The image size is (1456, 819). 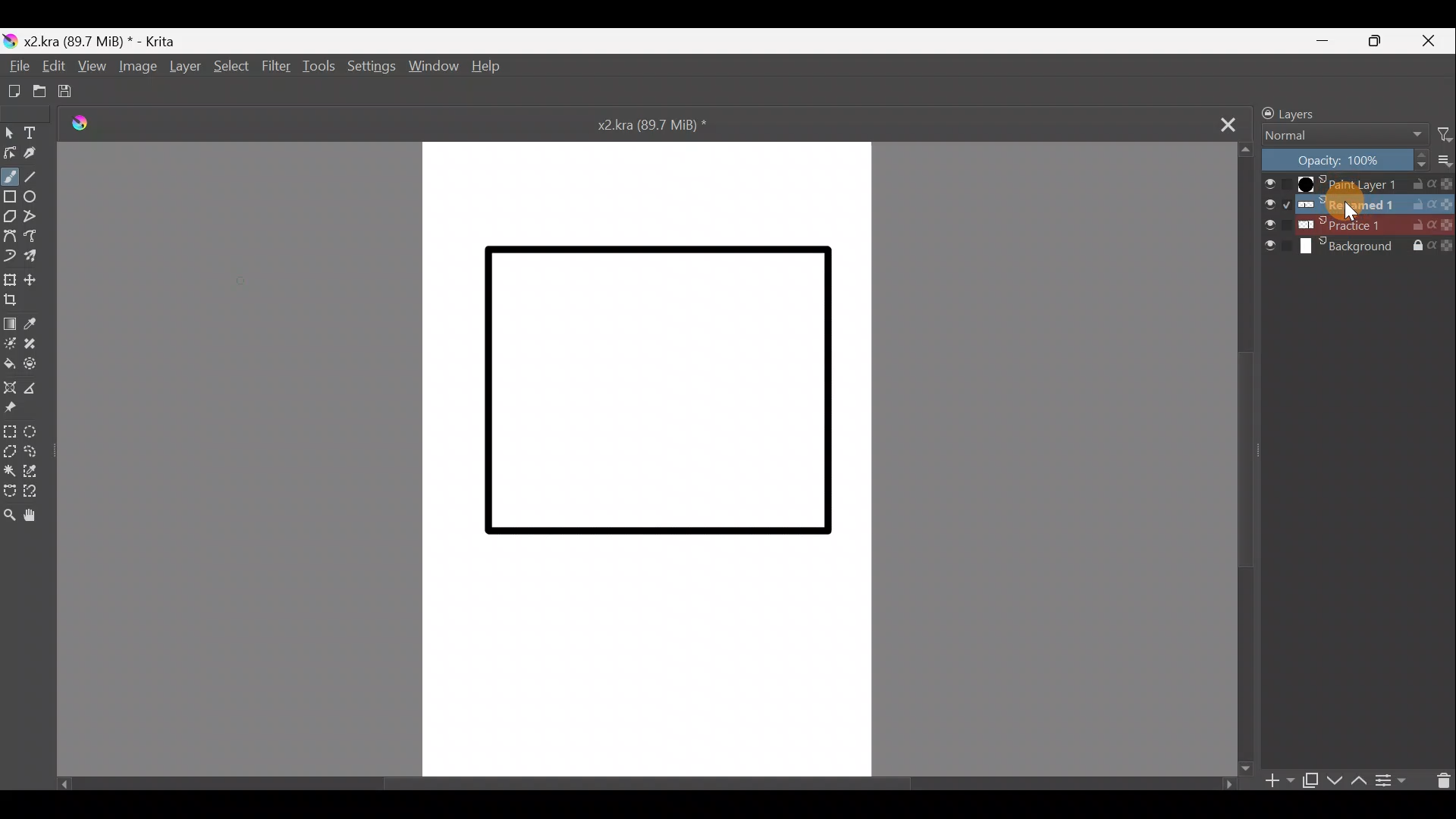 What do you see at coordinates (66, 92) in the screenshot?
I see `Save` at bounding box center [66, 92].